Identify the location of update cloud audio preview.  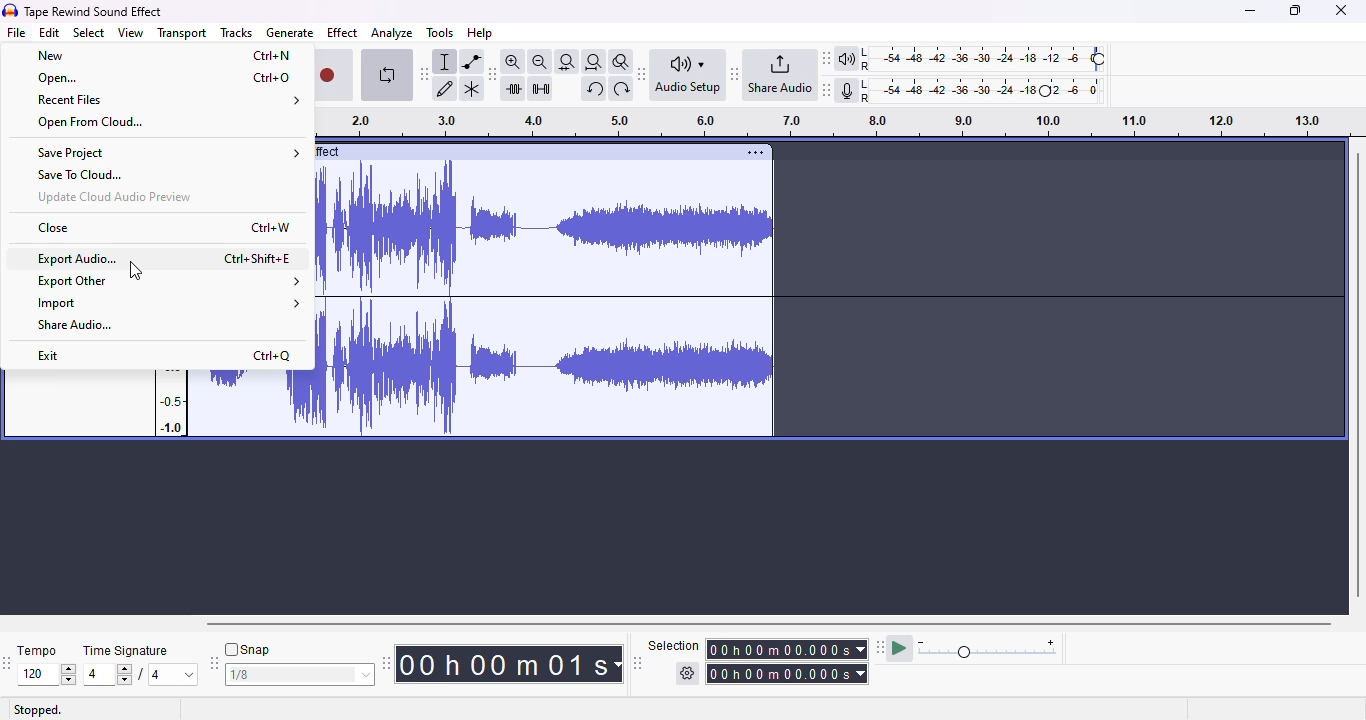
(114, 197).